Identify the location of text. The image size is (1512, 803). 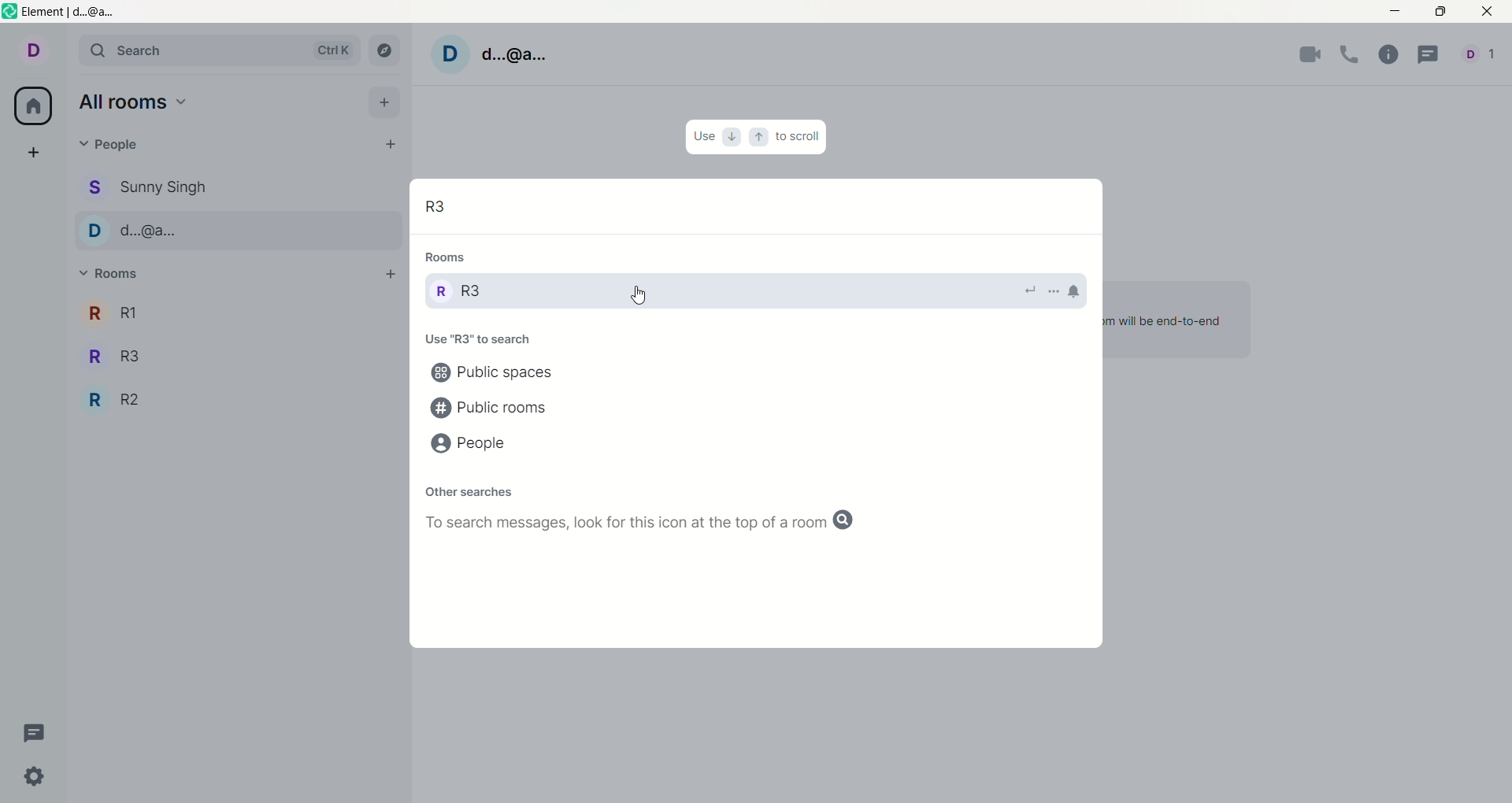
(472, 339).